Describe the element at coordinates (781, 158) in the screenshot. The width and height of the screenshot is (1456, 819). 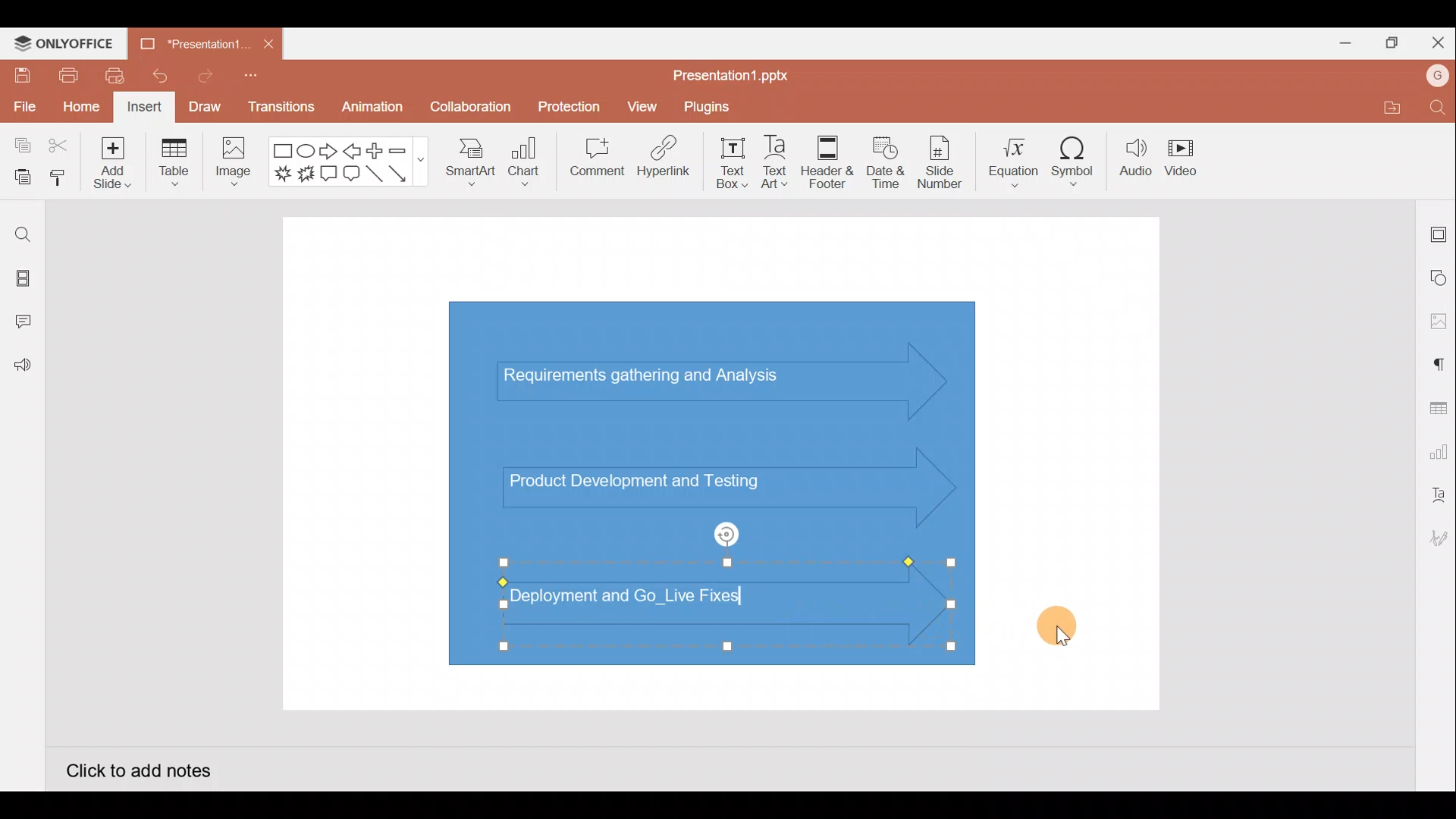
I see `Text Art` at that location.